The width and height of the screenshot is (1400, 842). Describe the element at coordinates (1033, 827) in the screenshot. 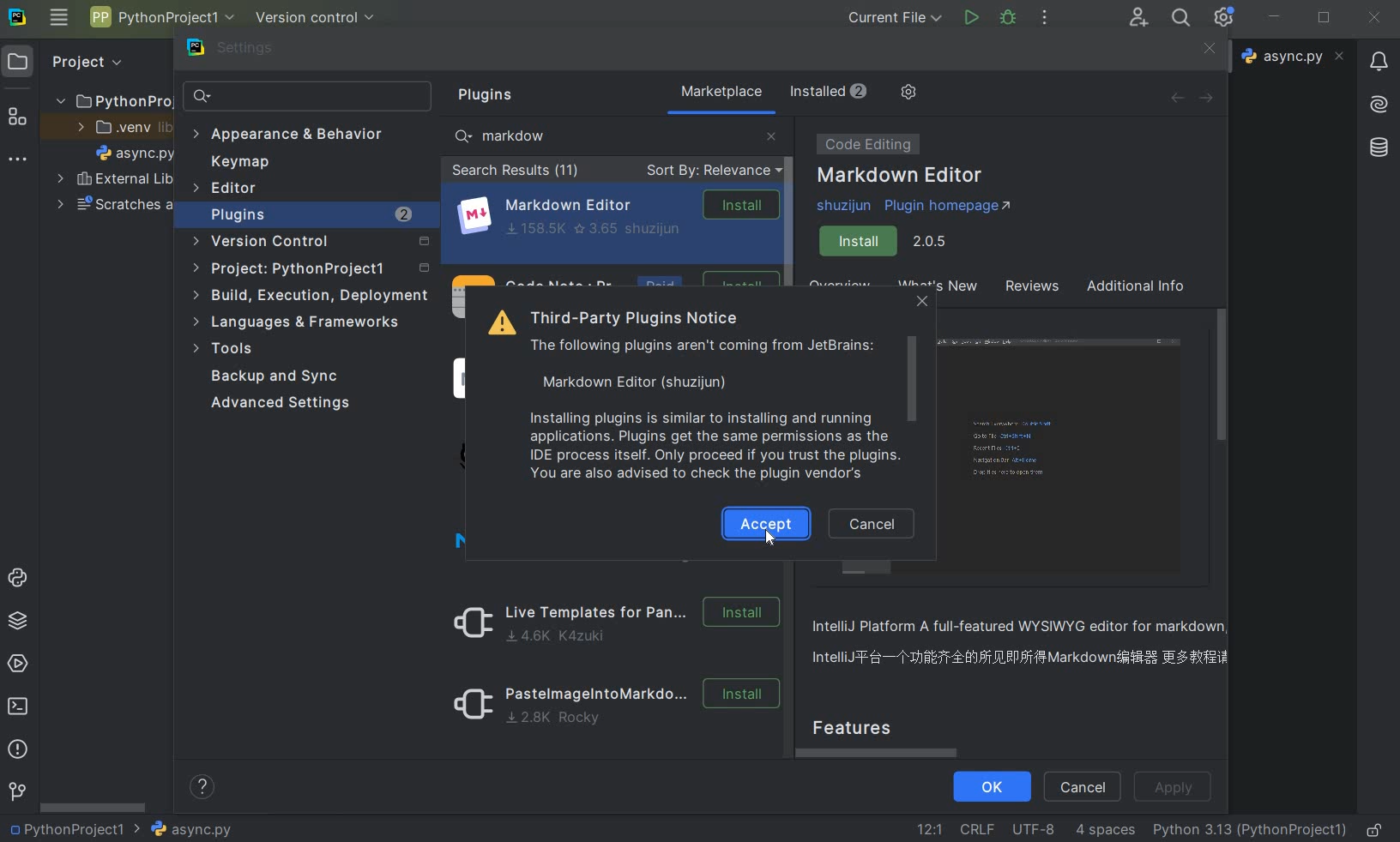

I see `fine encoding` at that location.